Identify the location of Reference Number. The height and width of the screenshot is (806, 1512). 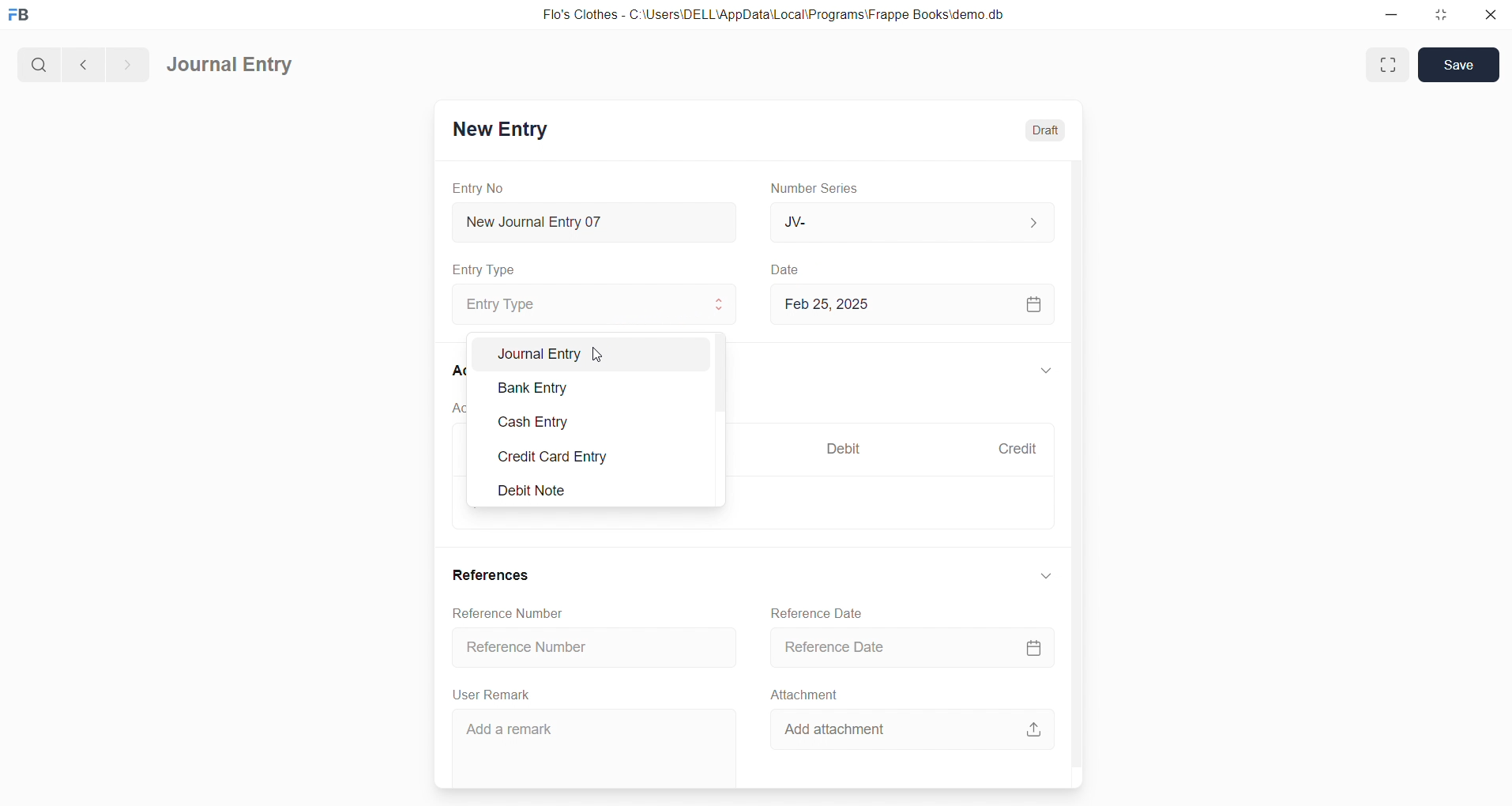
(506, 613).